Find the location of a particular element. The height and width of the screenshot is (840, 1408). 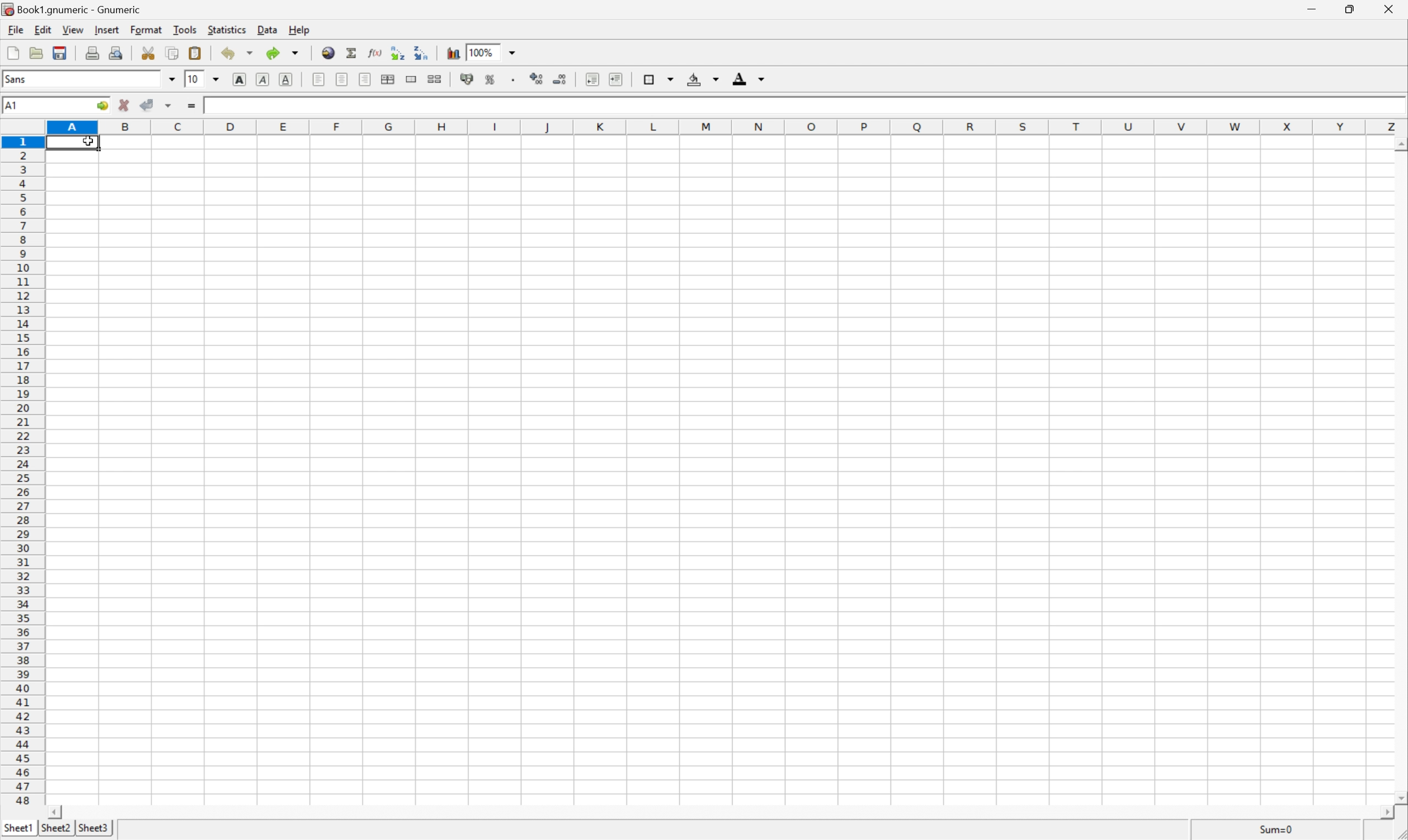

align left is located at coordinates (319, 79).